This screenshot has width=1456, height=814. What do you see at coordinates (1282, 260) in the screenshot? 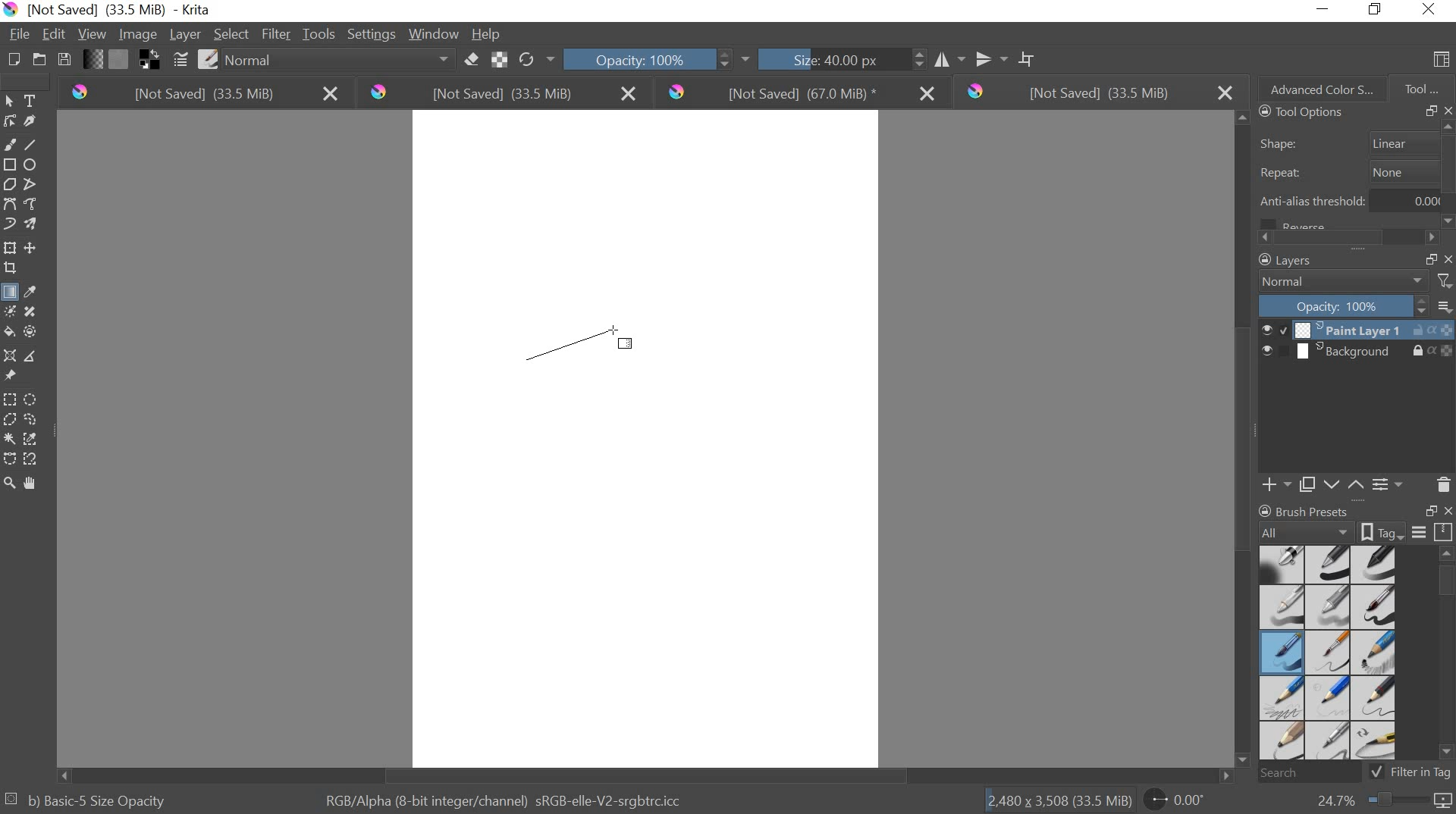
I see `LAYERS` at bounding box center [1282, 260].